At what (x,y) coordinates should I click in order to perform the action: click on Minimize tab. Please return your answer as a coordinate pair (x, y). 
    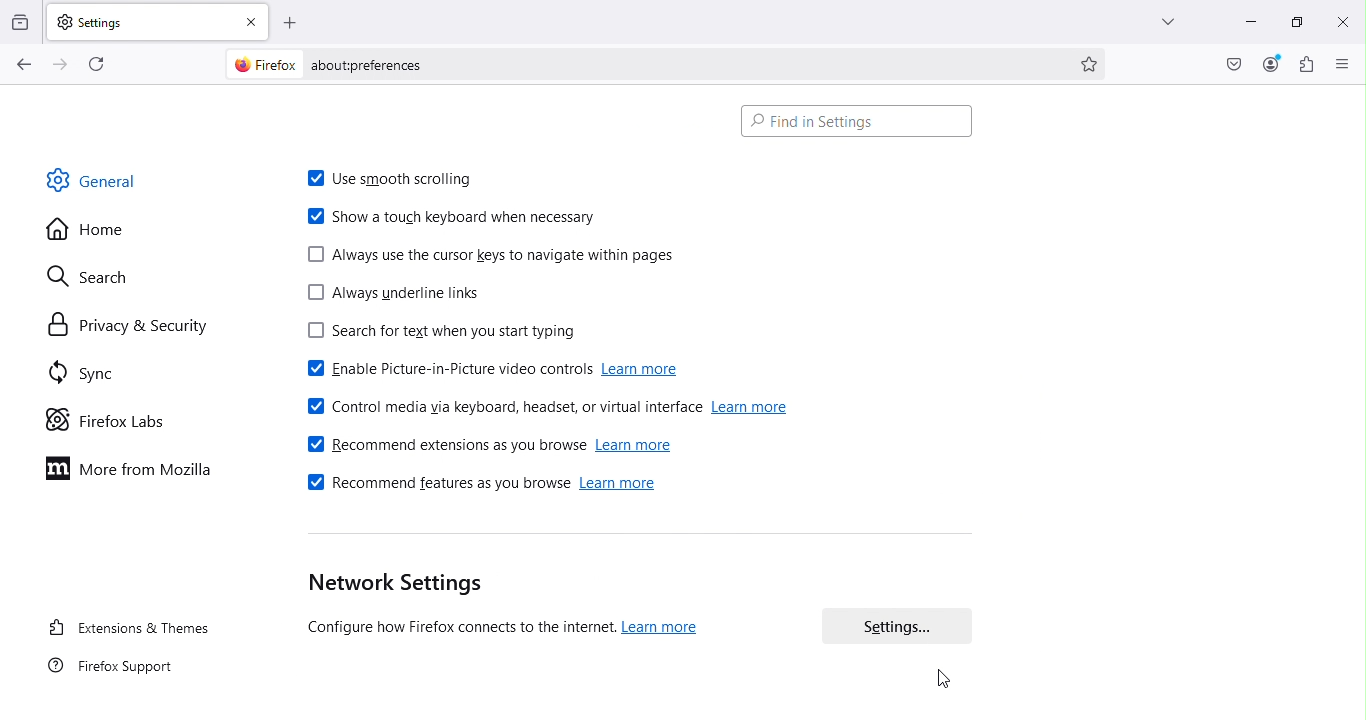
    Looking at the image, I should click on (1245, 24).